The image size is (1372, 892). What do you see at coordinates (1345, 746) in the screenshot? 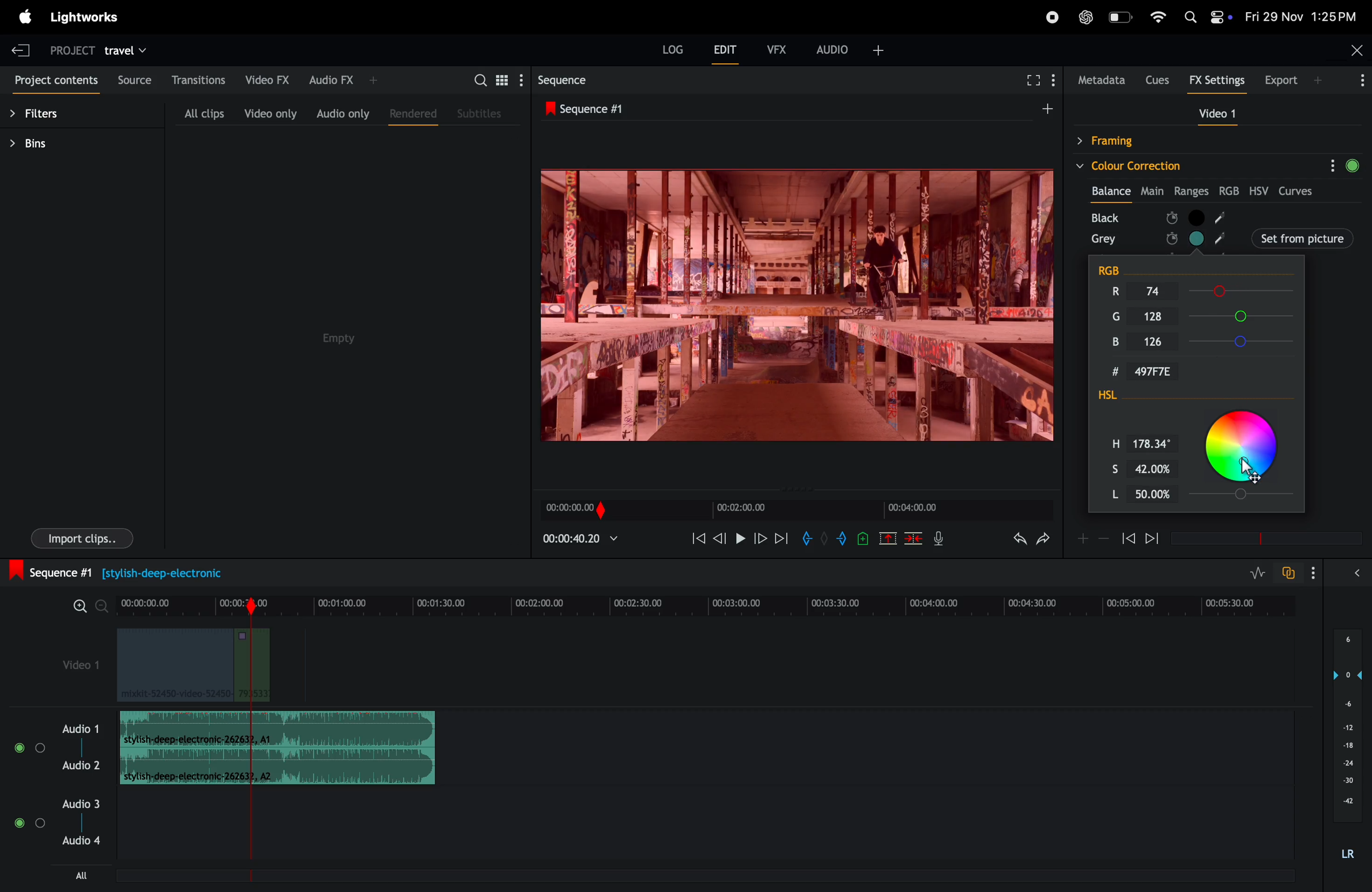
I see `audio pitch` at bounding box center [1345, 746].